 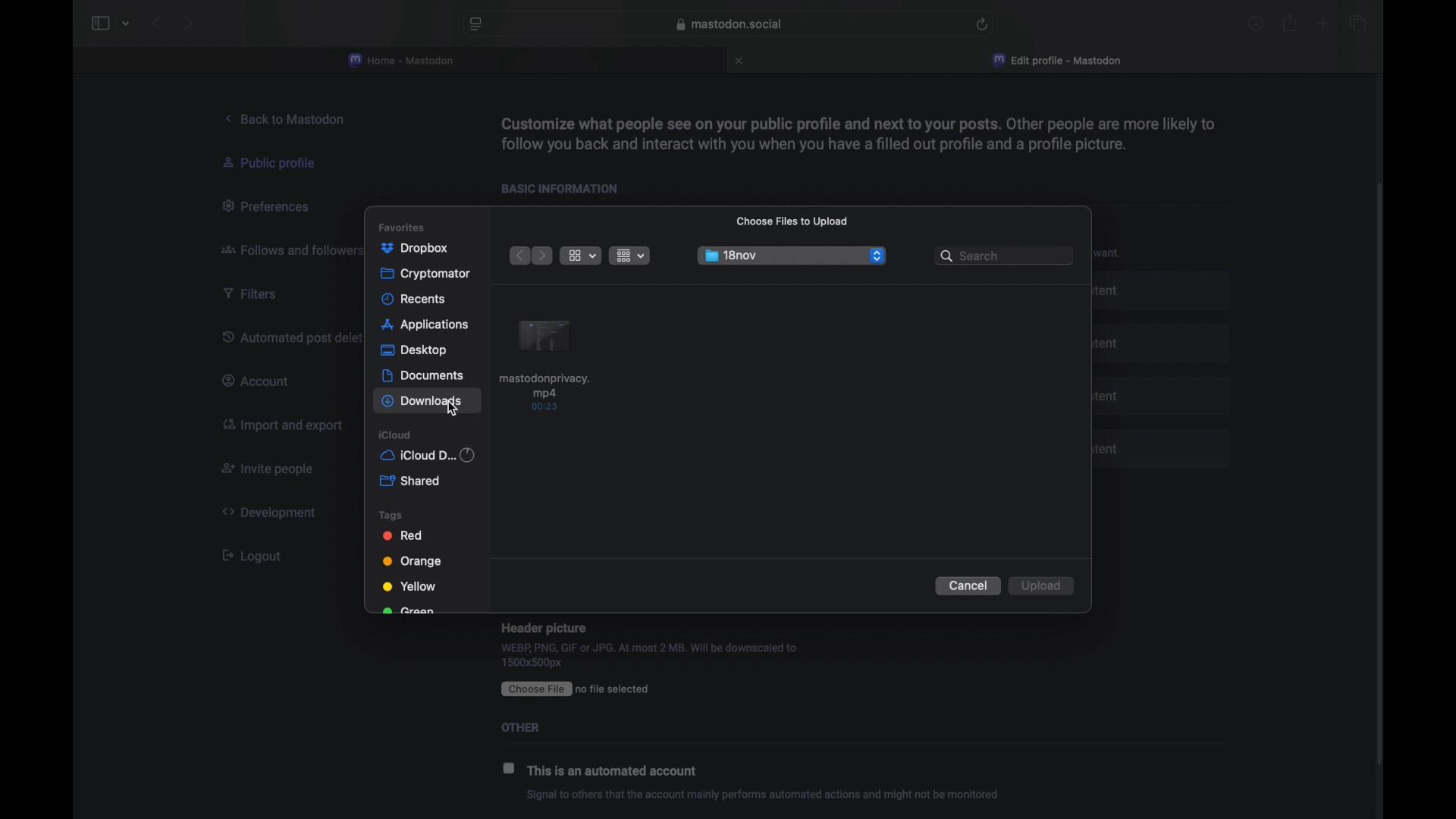 I want to click on basic information, so click(x=566, y=189).